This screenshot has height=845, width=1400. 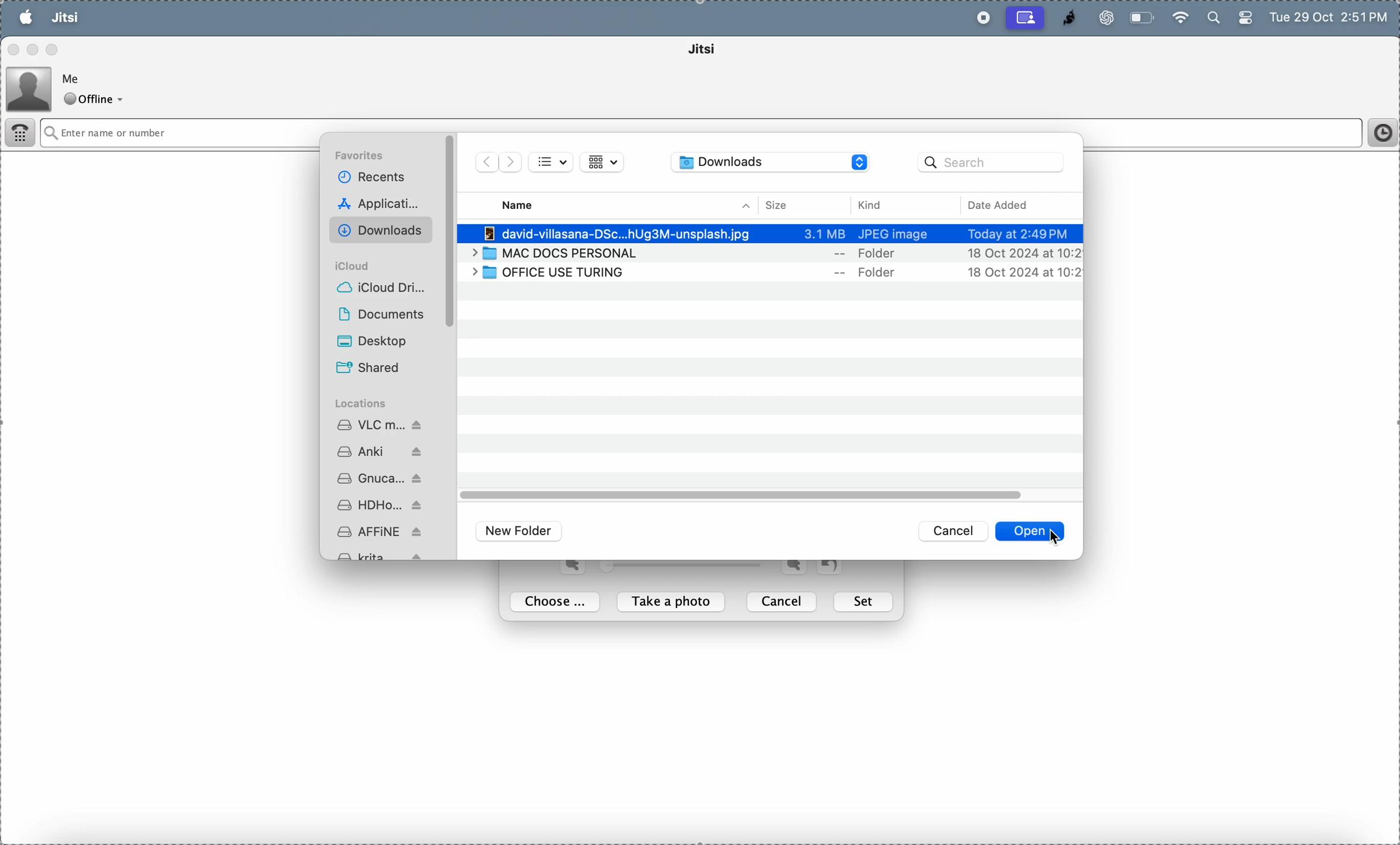 What do you see at coordinates (378, 178) in the screenshot?
I see `recent` at bounding box center [378, 178].